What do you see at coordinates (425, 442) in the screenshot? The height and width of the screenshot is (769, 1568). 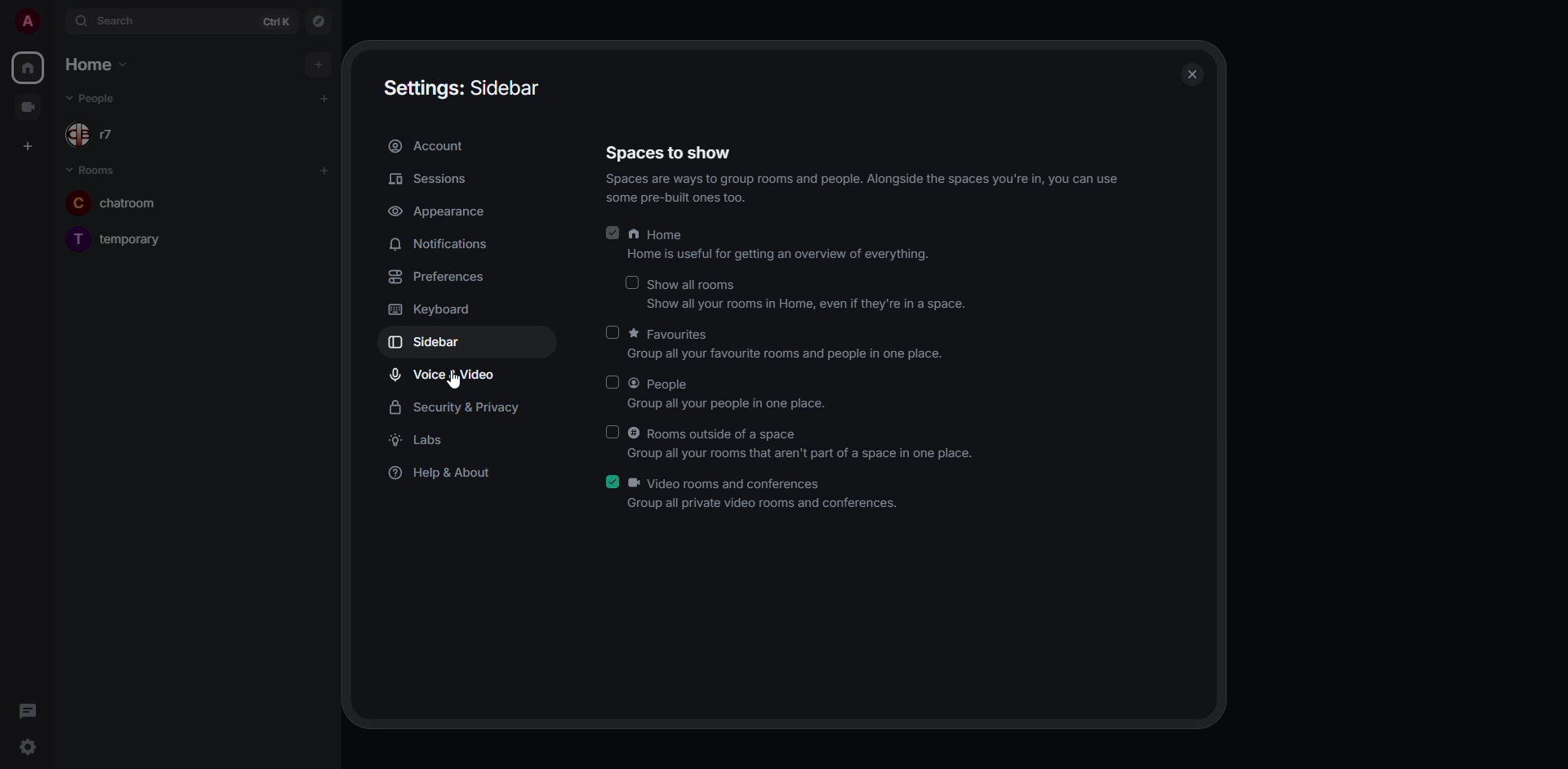 I see `labs` at bounding box center [425, 442].